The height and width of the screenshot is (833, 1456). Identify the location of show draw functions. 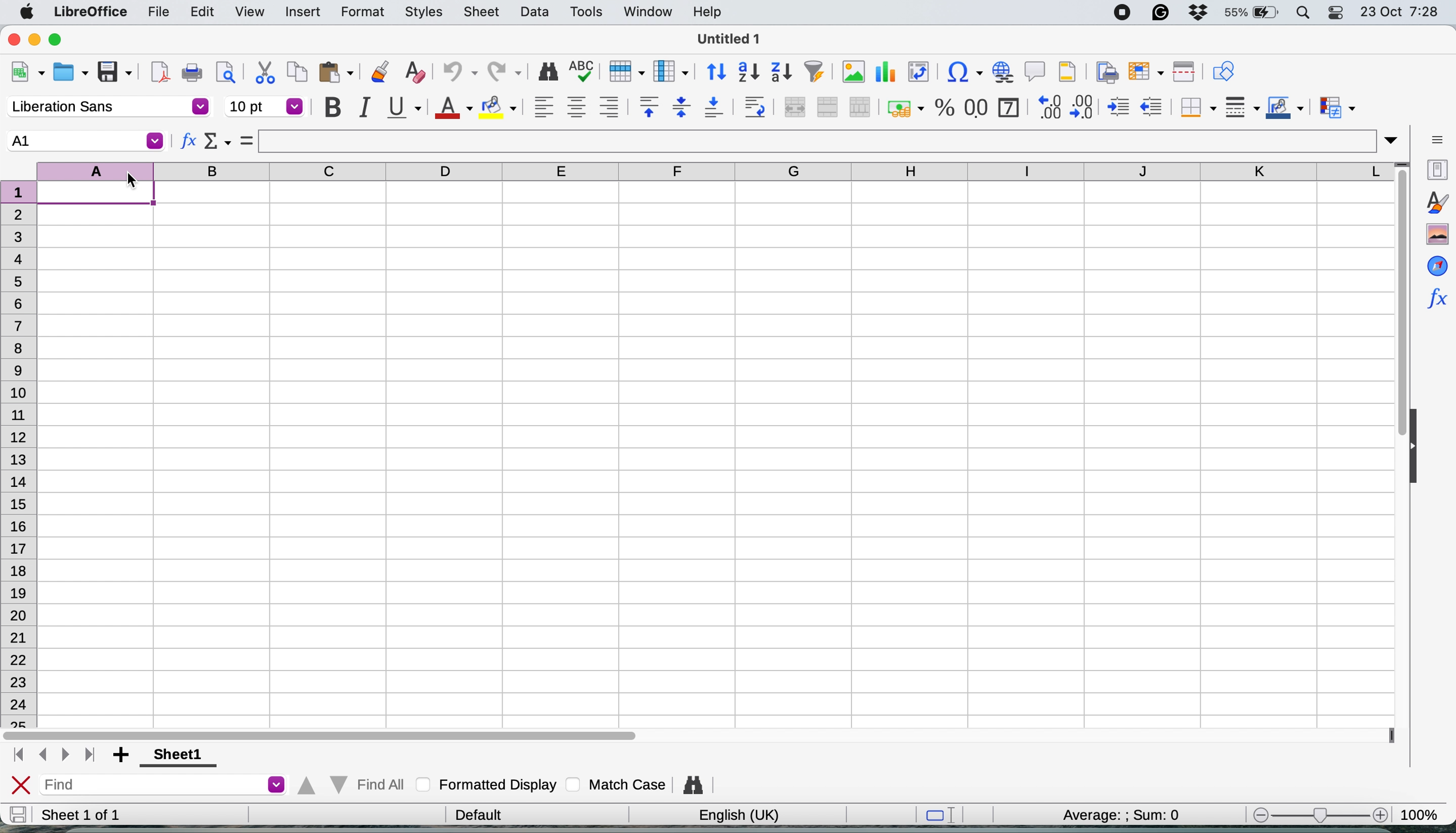
(1223, 71).